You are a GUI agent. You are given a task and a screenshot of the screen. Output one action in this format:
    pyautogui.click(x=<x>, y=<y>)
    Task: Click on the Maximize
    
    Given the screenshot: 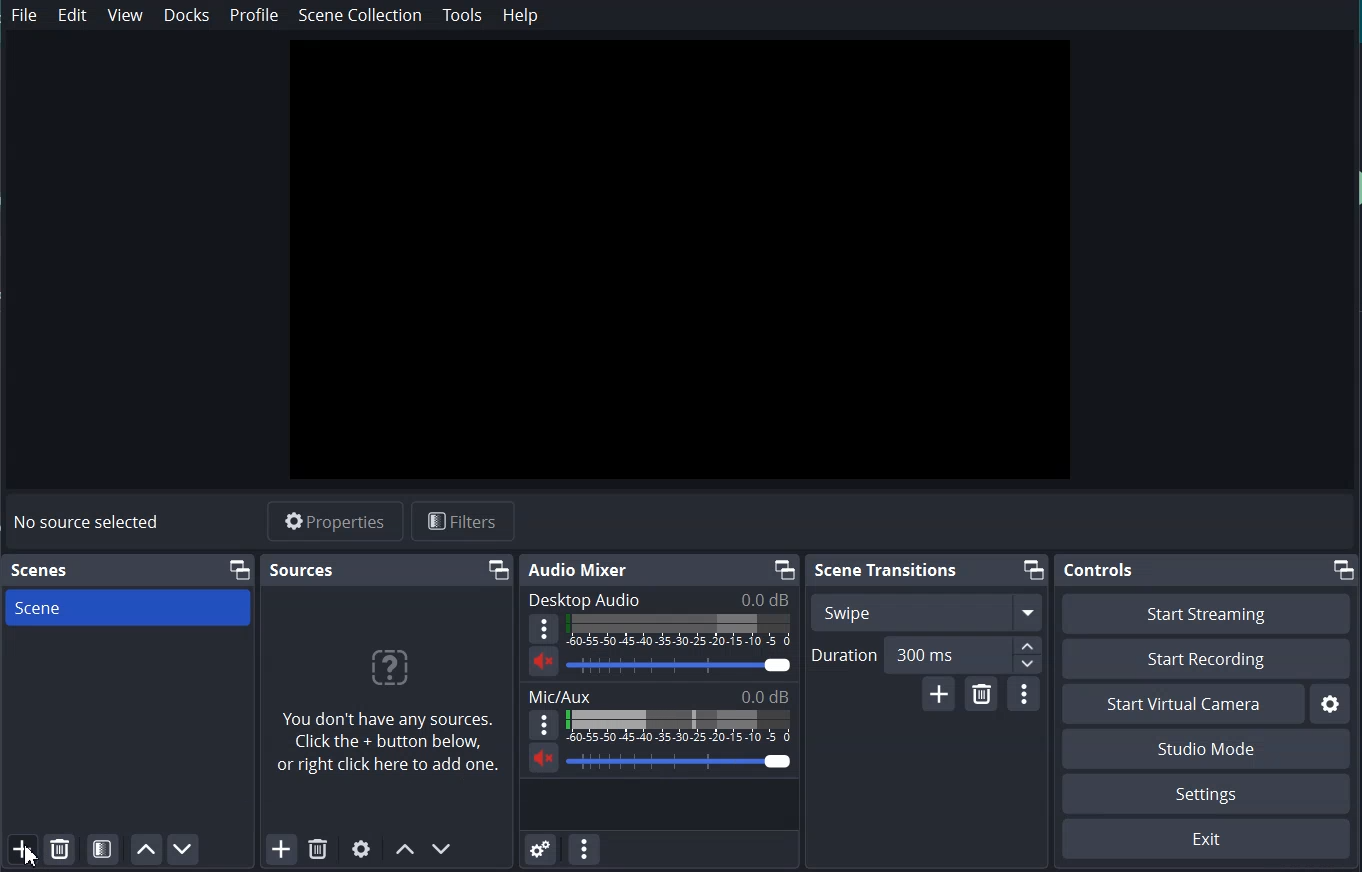 What is the action you would take?
    pyautogui.click(x=783, y=569)
    